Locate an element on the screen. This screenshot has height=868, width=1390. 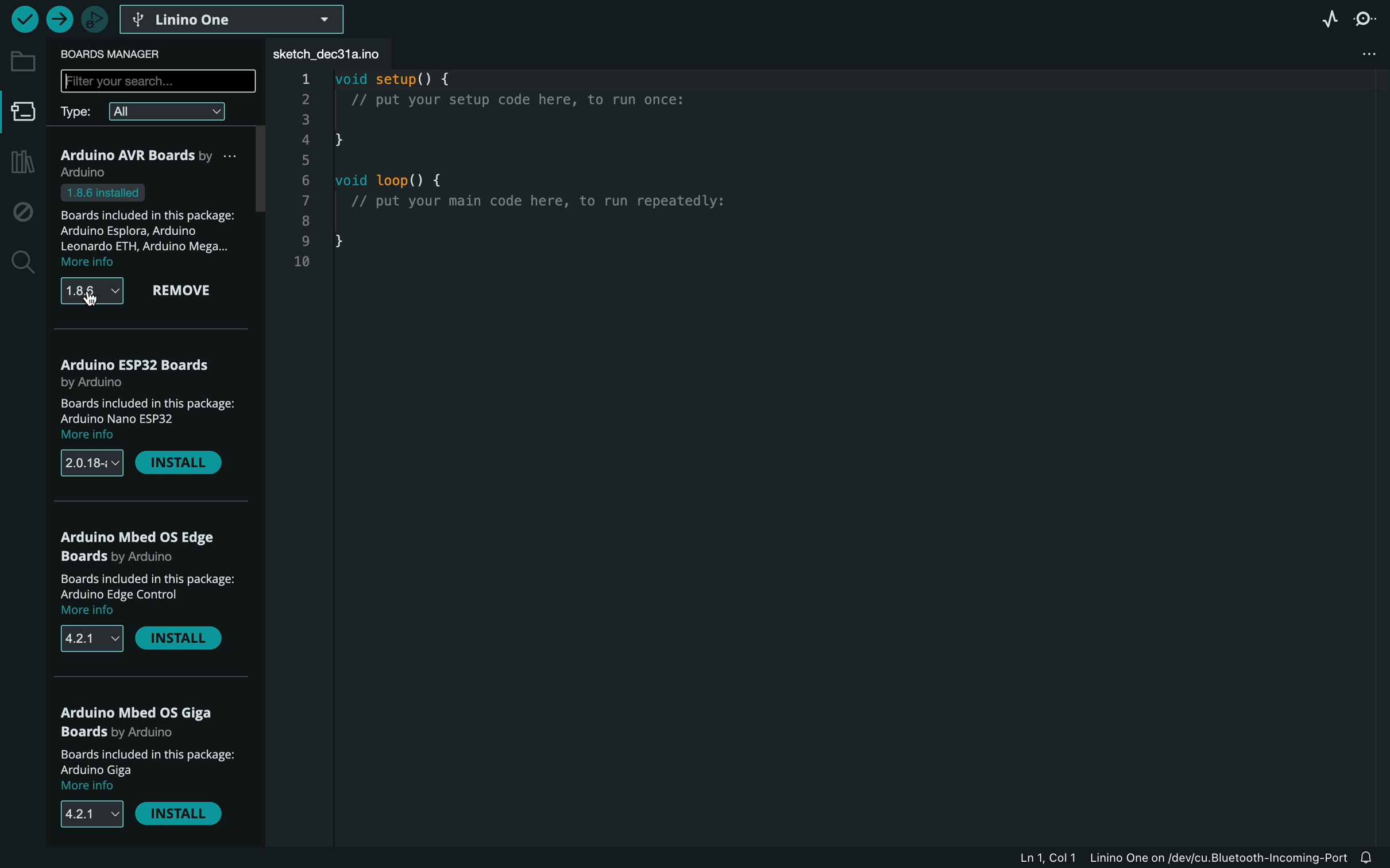
AVR boards is located at coordinates (154, 162).